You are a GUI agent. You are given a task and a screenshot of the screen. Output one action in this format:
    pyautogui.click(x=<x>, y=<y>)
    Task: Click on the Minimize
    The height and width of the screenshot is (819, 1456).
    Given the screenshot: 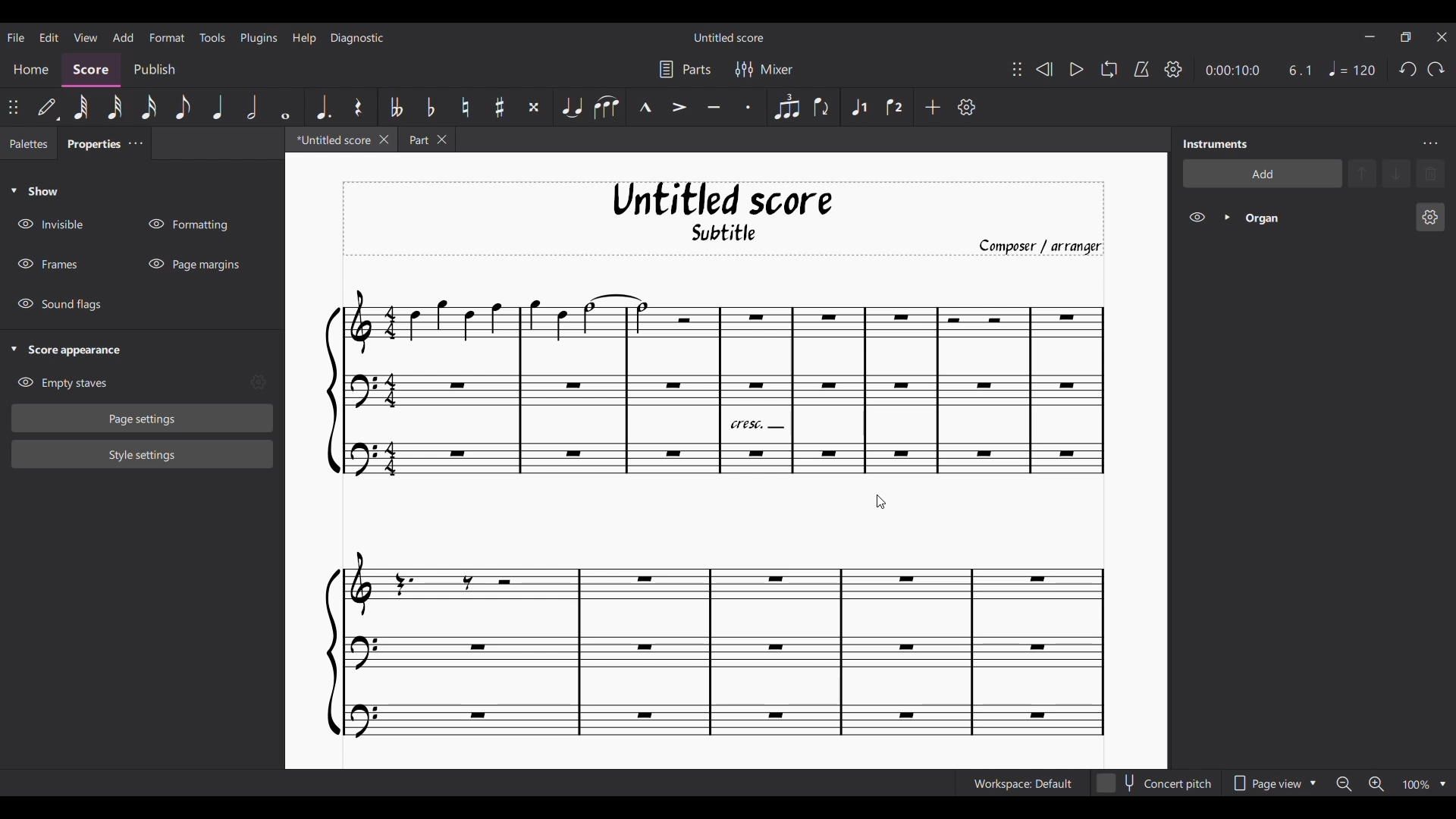 What is the action you would take?
    pyautogui.click(x=1370, y=36)
    